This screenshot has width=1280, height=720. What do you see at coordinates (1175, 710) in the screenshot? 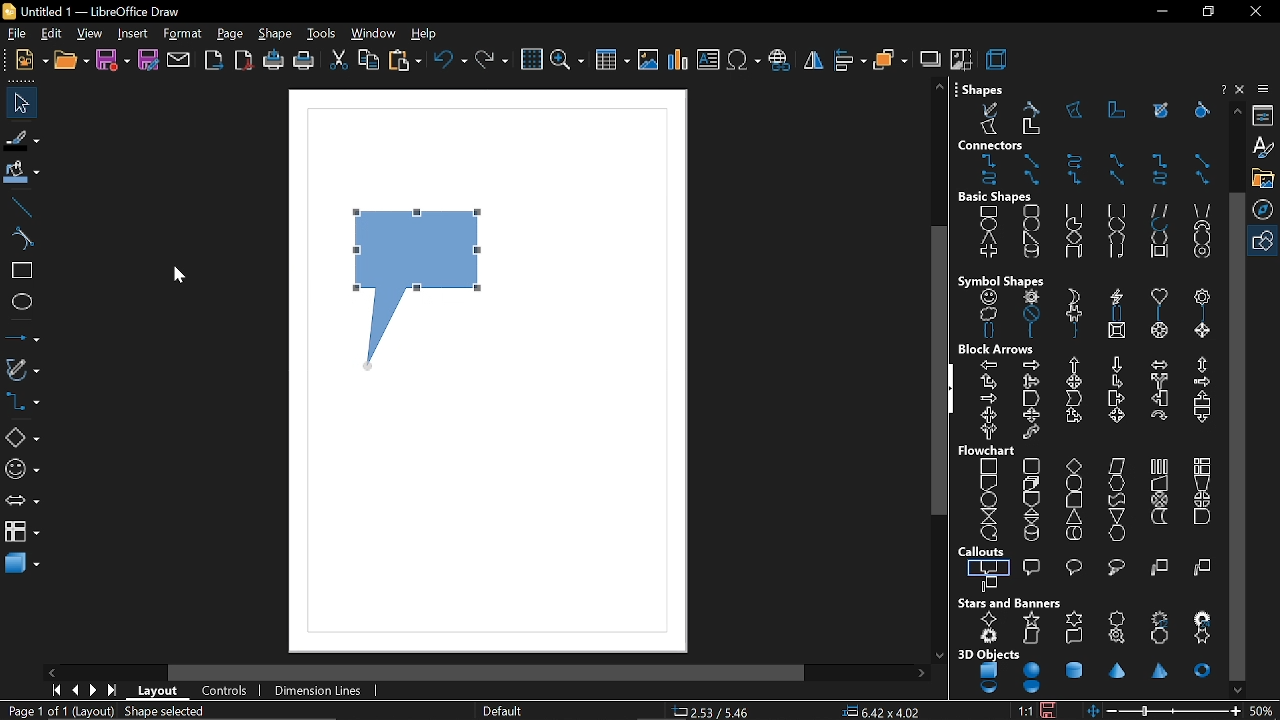
I see `change zoom` at bounding box center [1175, 710].